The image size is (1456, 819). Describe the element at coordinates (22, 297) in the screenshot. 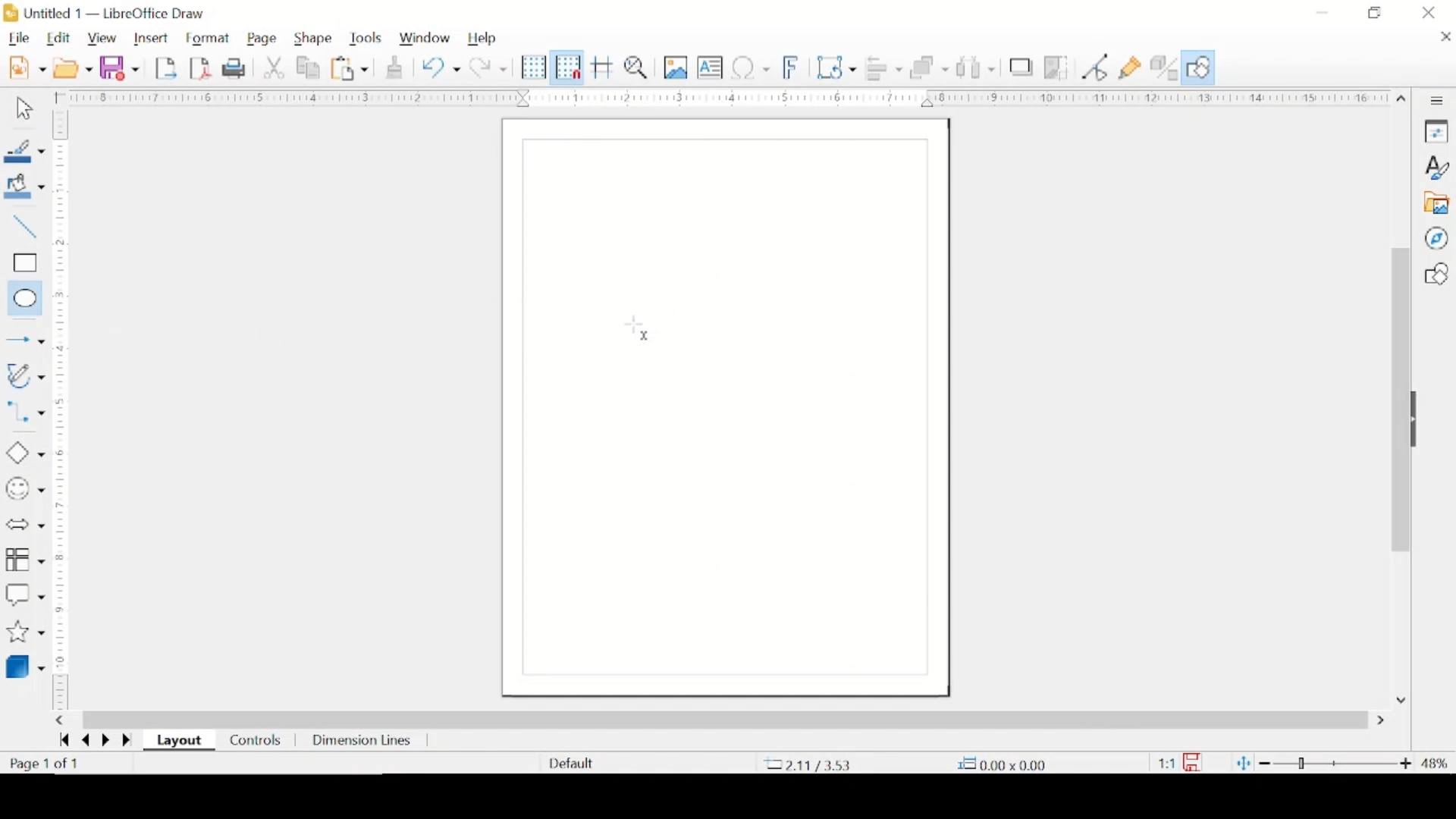

I see `ellipse` at that location.